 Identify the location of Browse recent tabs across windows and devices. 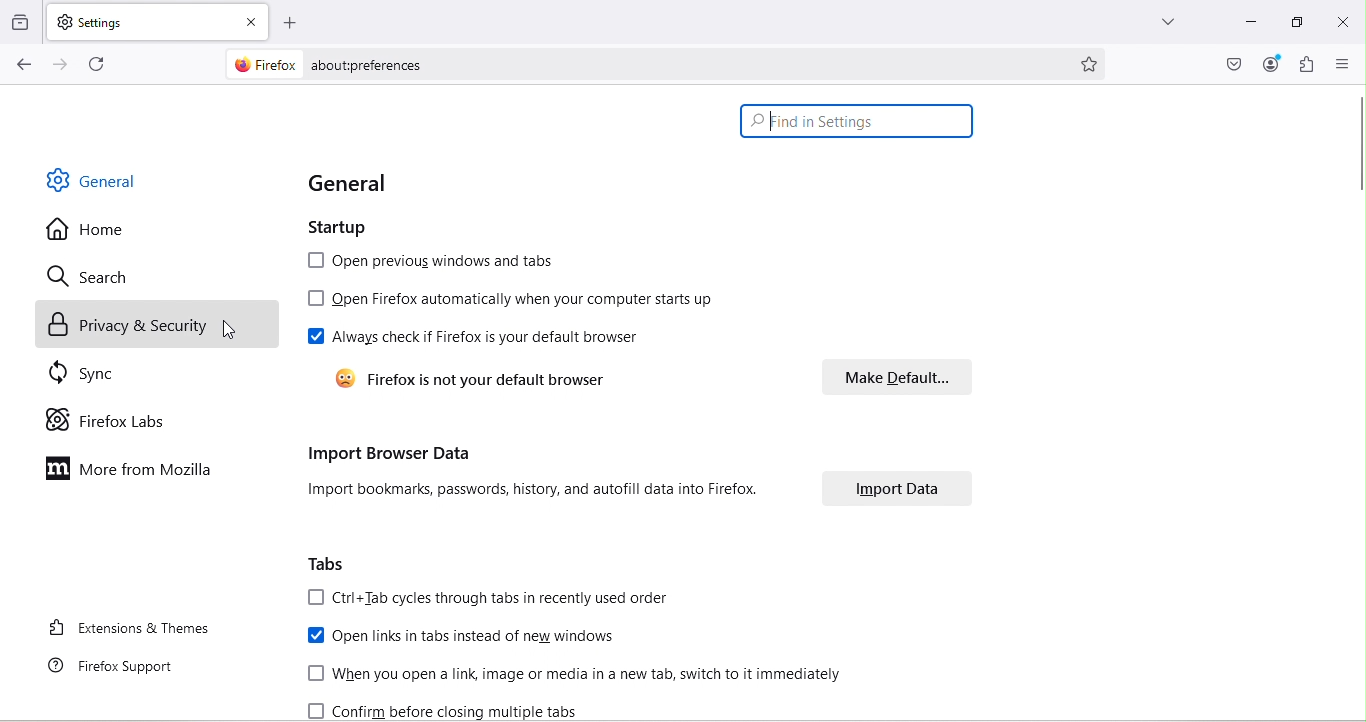
(22, 23).